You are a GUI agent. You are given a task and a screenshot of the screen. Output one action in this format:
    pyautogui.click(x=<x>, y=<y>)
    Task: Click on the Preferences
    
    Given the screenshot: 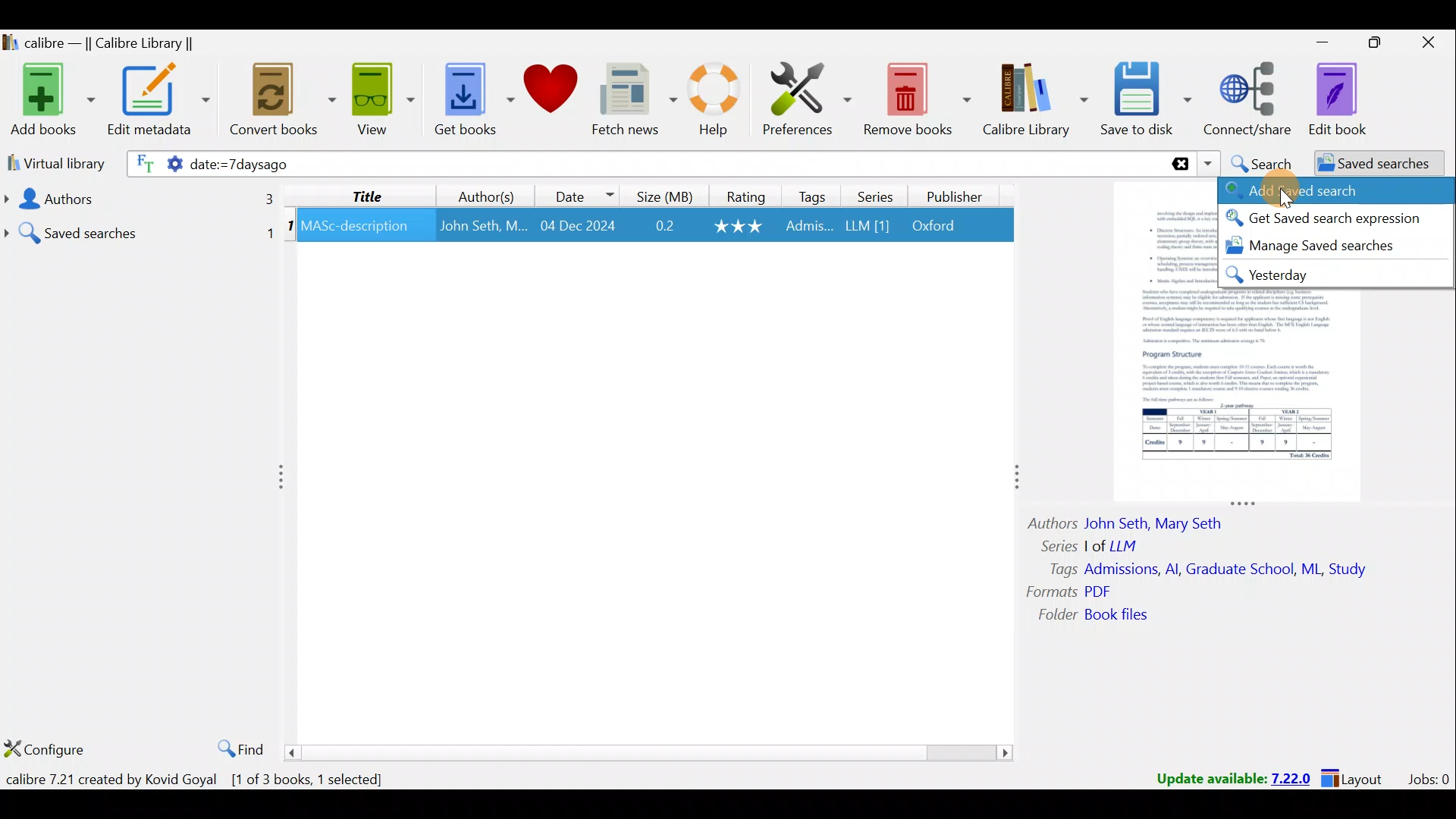 What is the action you would take?
    pyautogui.click(x=809, y=96)
    